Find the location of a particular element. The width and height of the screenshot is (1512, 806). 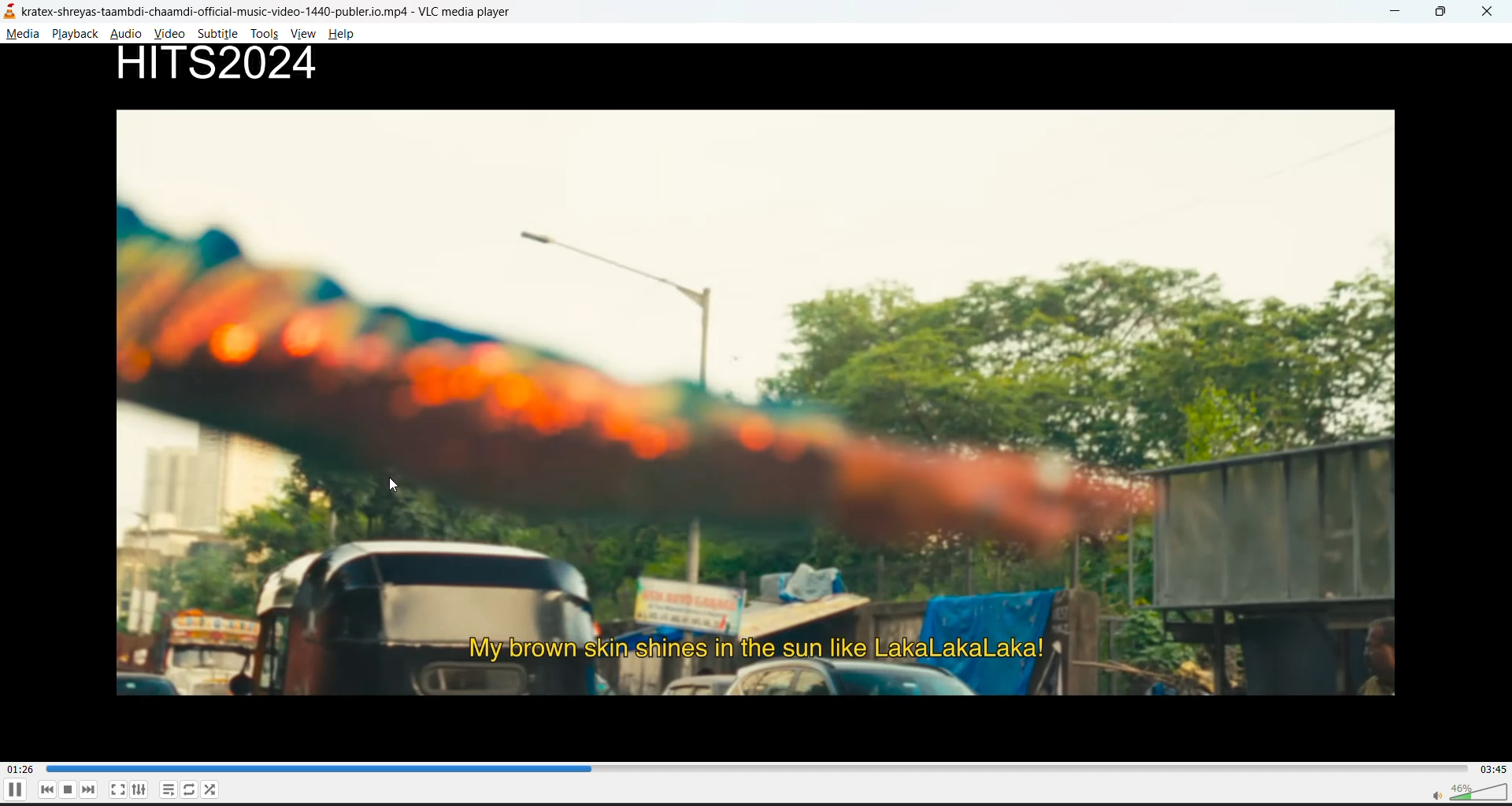

pause is located at coordinates (14, 793).